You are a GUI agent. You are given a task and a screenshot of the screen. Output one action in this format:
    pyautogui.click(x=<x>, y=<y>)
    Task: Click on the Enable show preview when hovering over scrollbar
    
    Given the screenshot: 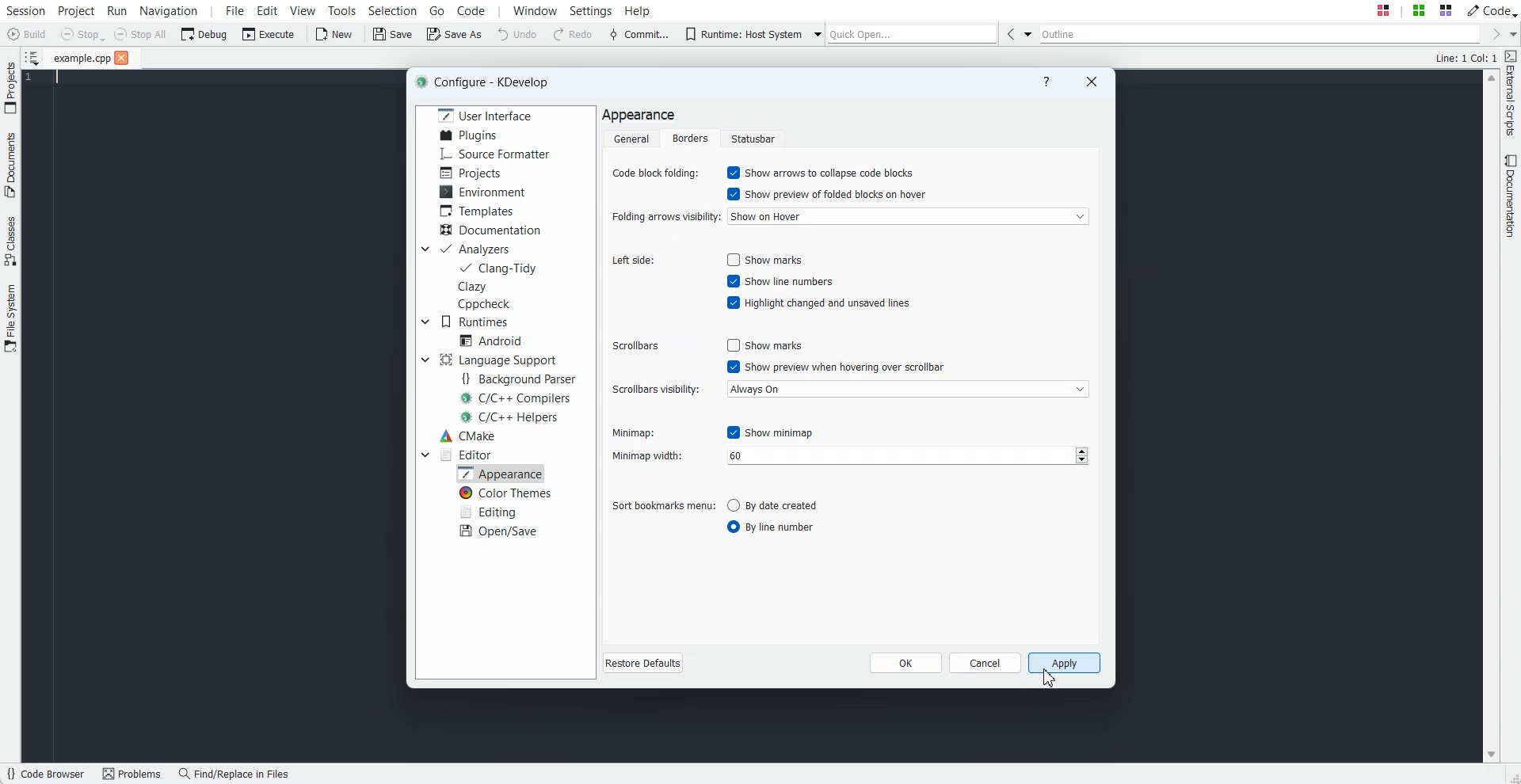 What is the action you would take?
    pyautogui.click(x=837, y=367)
    